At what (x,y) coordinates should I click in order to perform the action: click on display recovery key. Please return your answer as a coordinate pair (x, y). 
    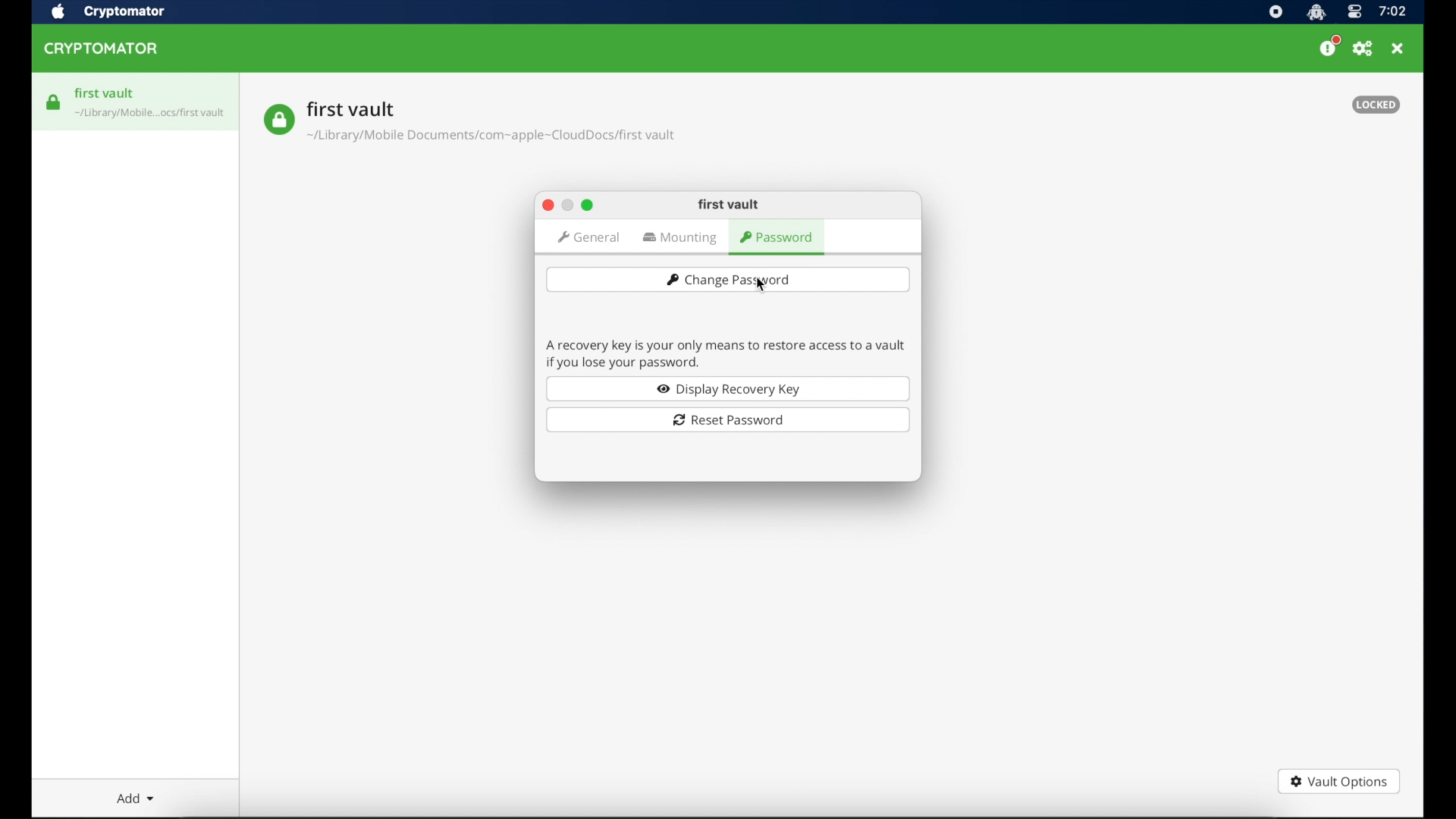
    Looking at the image, I should click on (728, 388).